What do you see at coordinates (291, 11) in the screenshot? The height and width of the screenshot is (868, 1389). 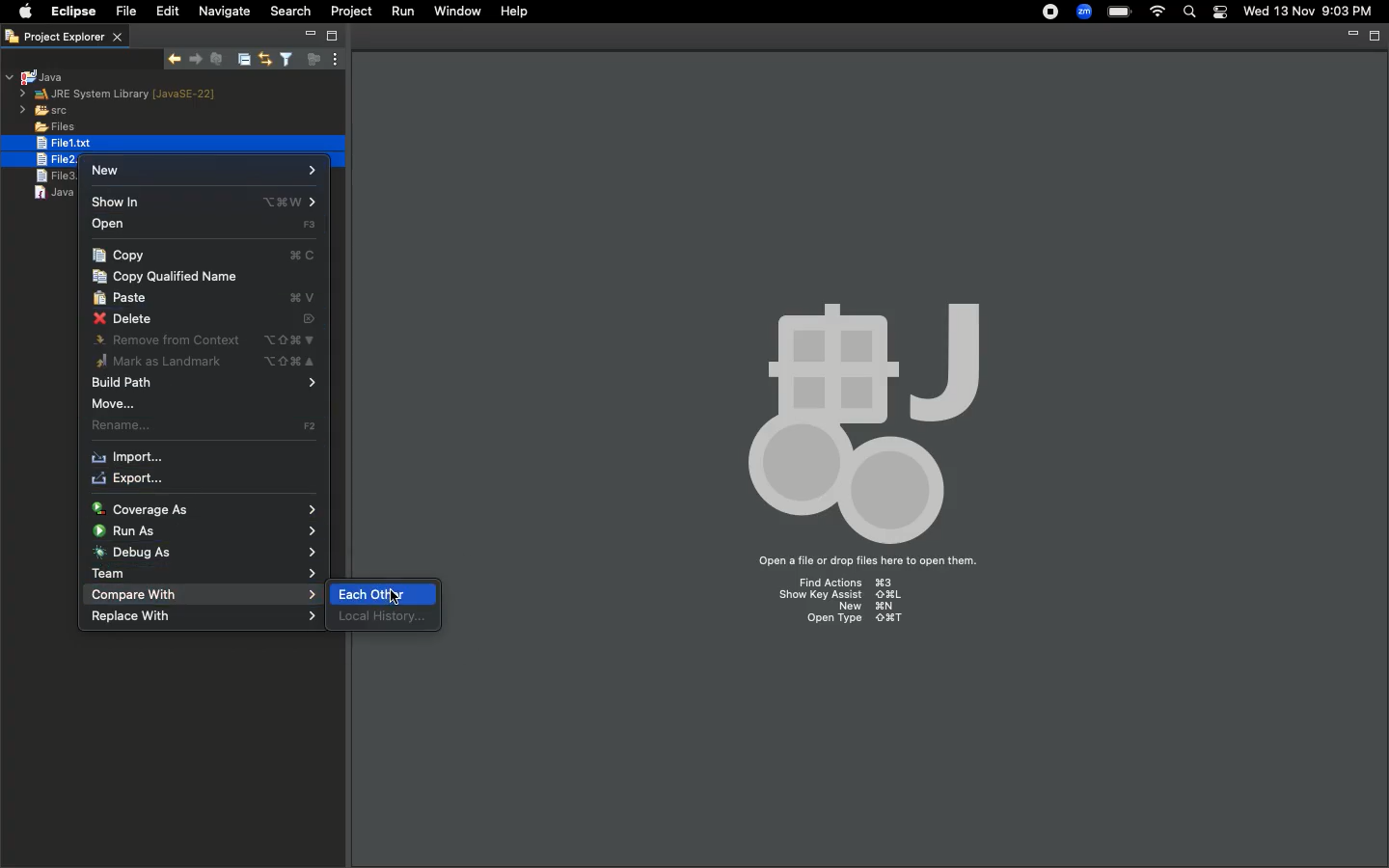 I see `Search` at bounding box center [291, 11].